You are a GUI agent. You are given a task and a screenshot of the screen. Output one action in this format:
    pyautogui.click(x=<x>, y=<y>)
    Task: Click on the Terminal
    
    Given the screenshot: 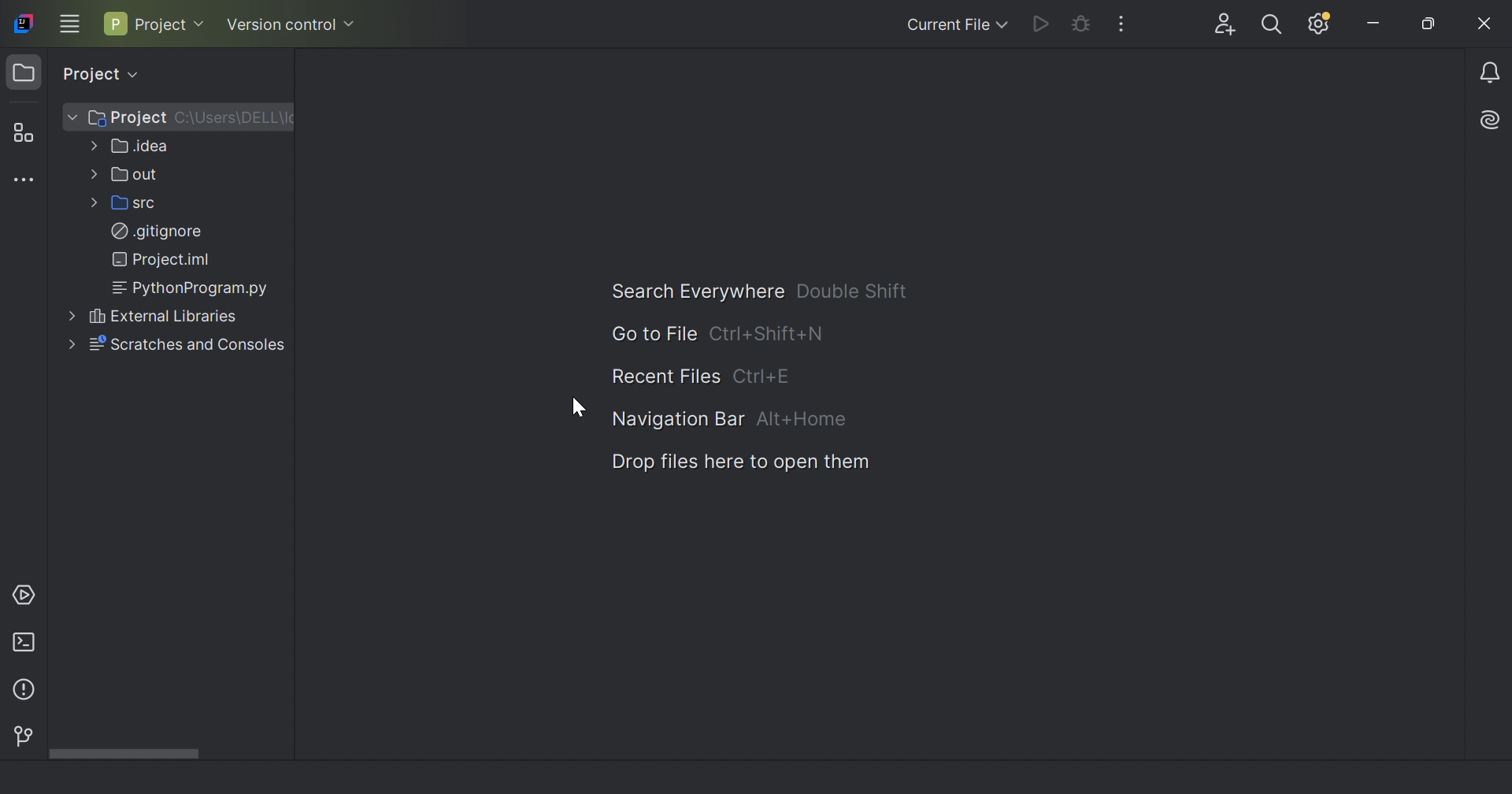 What is the action you would take?
    pyautogui.click(x=28, y=642)
    